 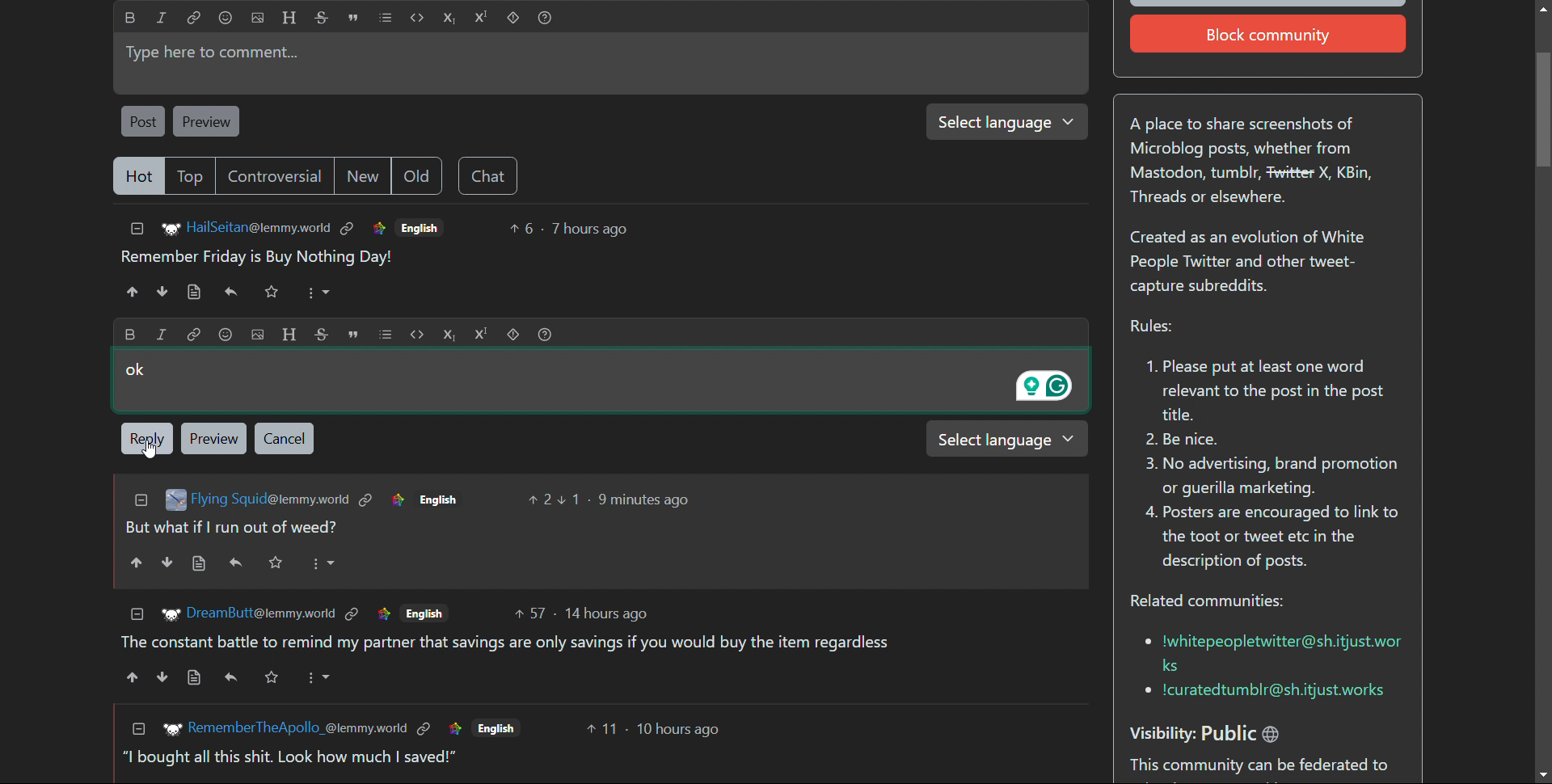 I want to click on reply, so click(x=235, y=561).